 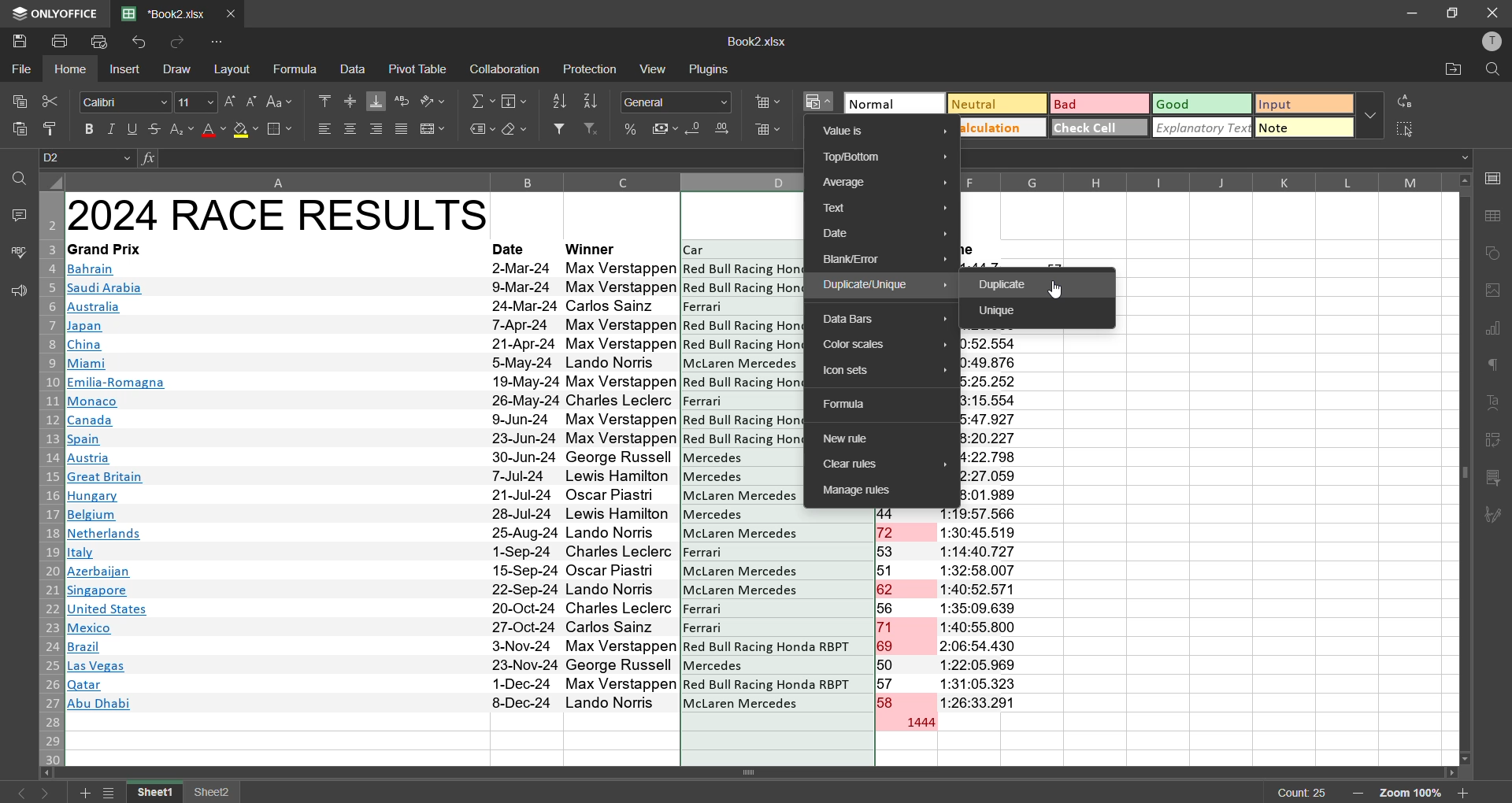 What do you see at coordinates (1495, 404) in the screenshot?
I see `text` at bounding box center [1495, 404].